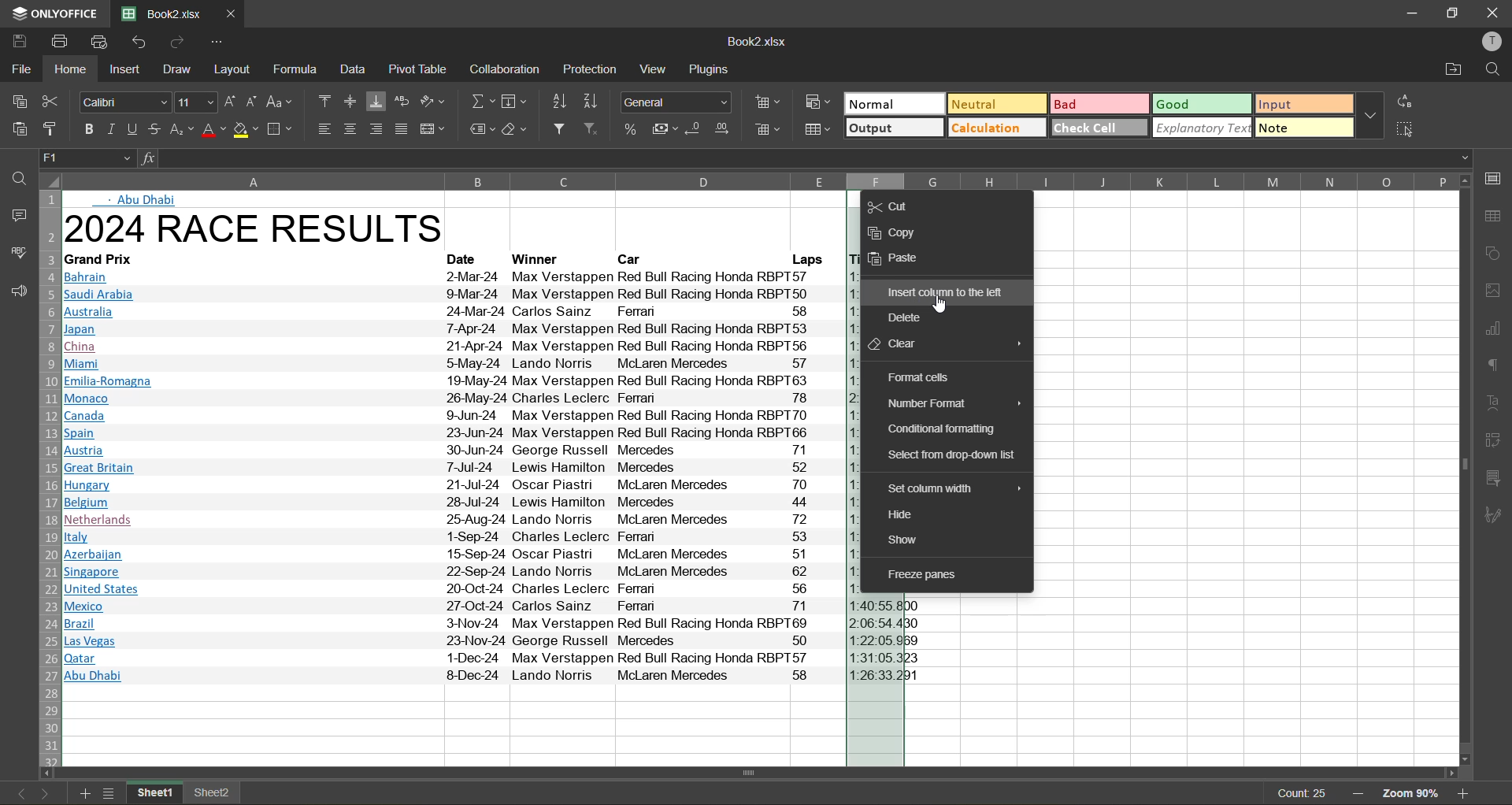 The height and width of the screenshot is (805, 1512). What do you see at coordinates (137, 42) in the screenshot?
I see `undo` at bounding box center [137, 42].